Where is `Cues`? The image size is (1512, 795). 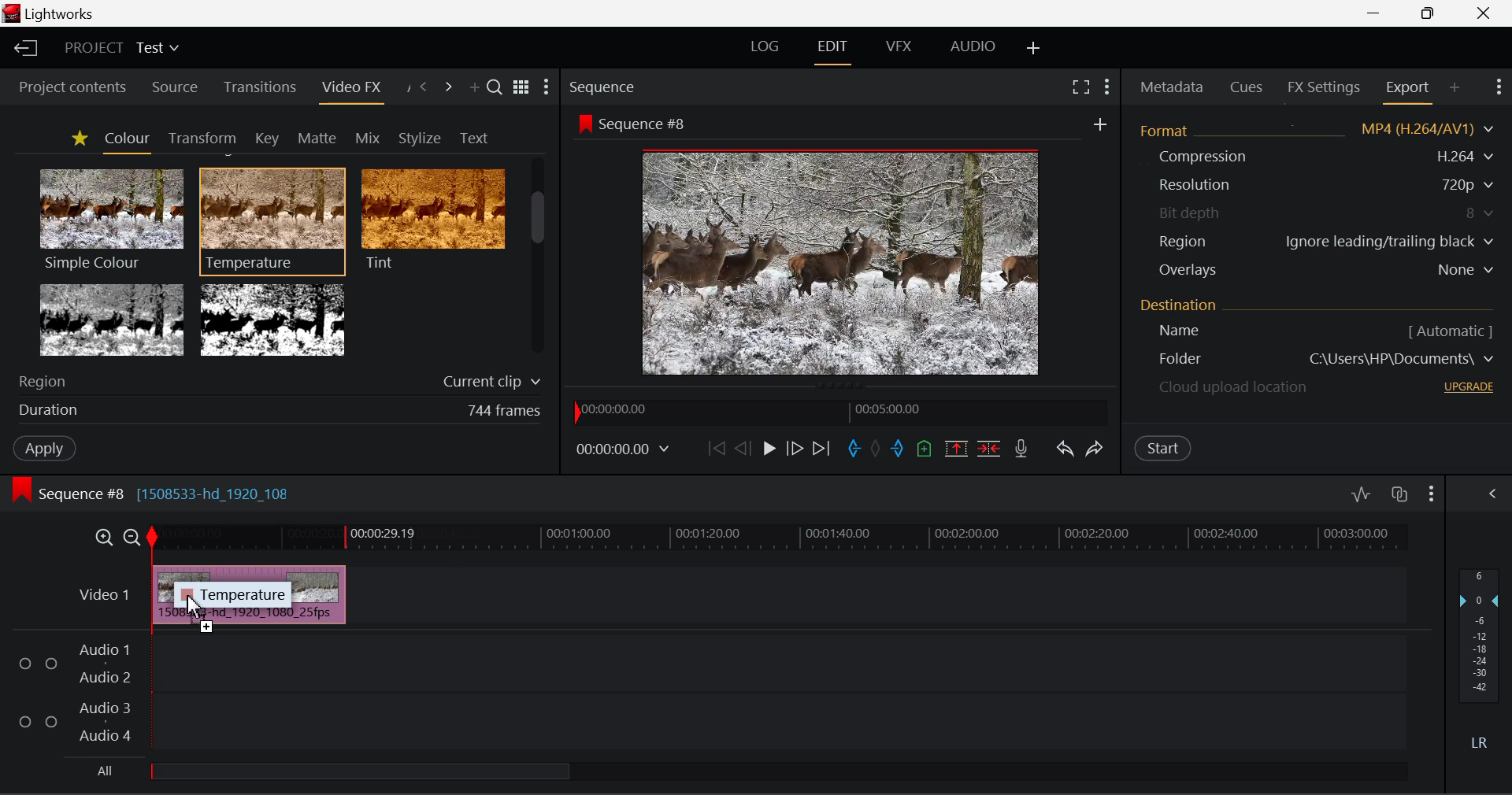 Cues is located at coordinates (1247, 86).